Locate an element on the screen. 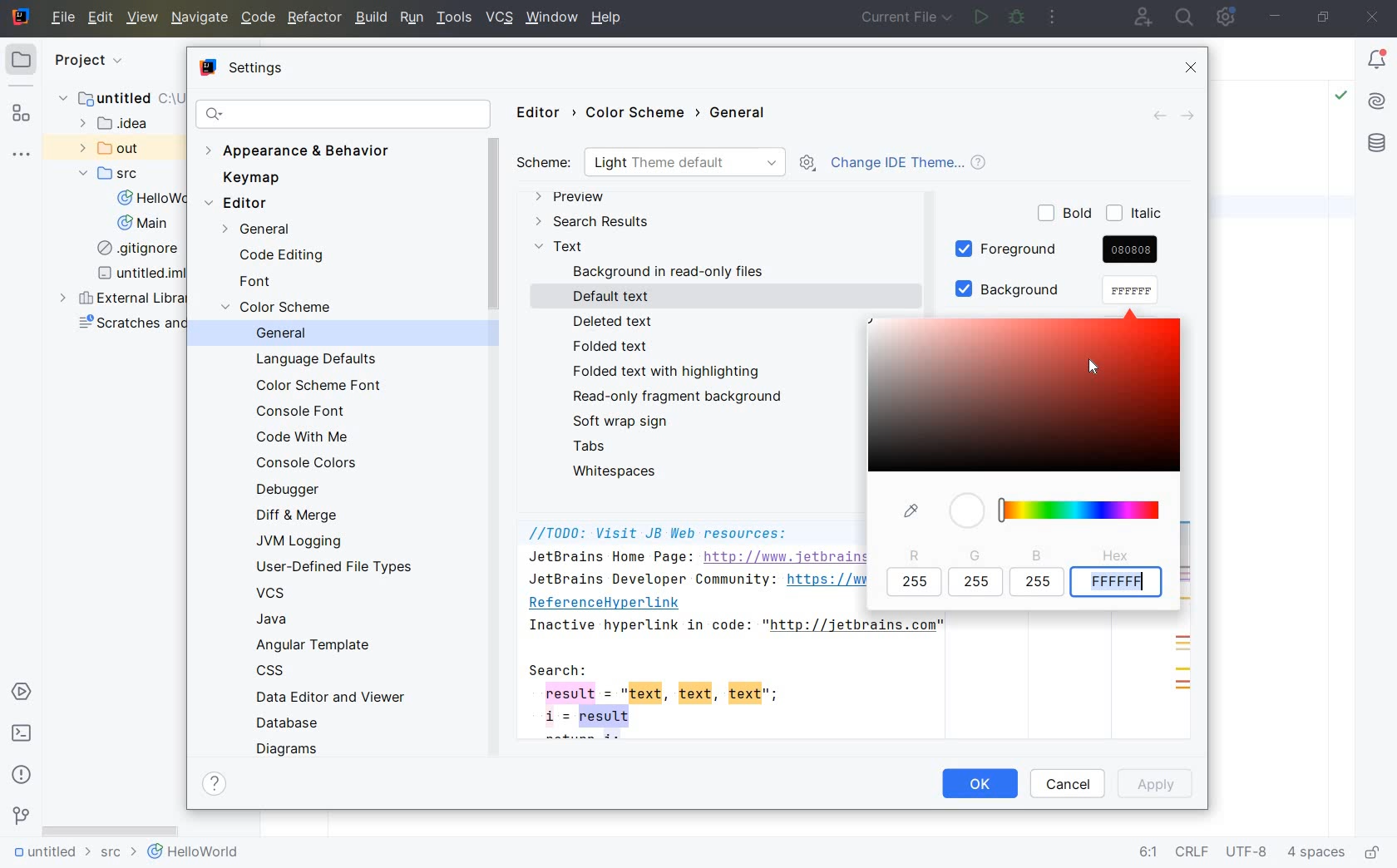 This screenshot has height=868, width=1397. line separator is located at coordinates (1191, 854).